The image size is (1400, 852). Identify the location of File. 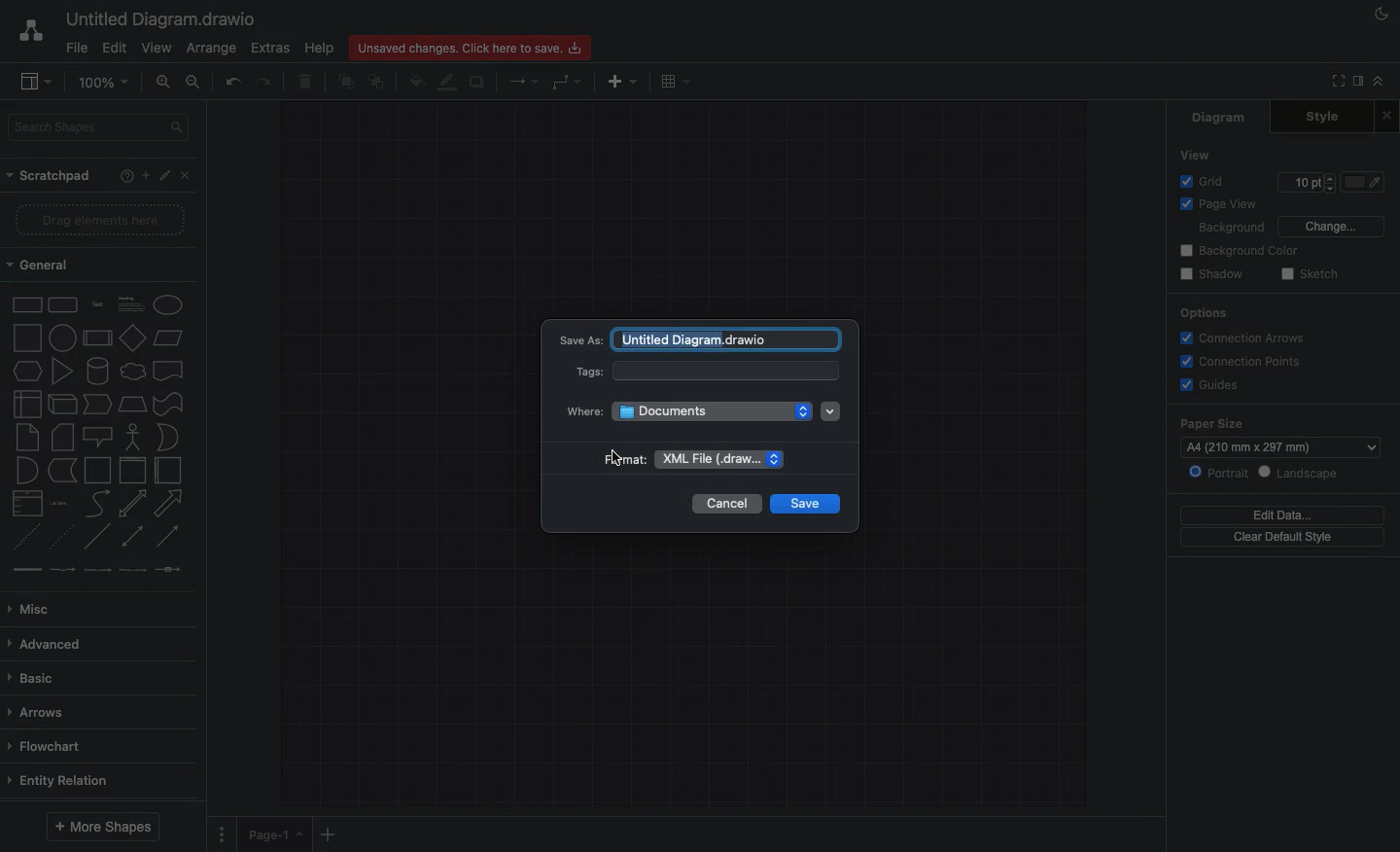
(76, 49).